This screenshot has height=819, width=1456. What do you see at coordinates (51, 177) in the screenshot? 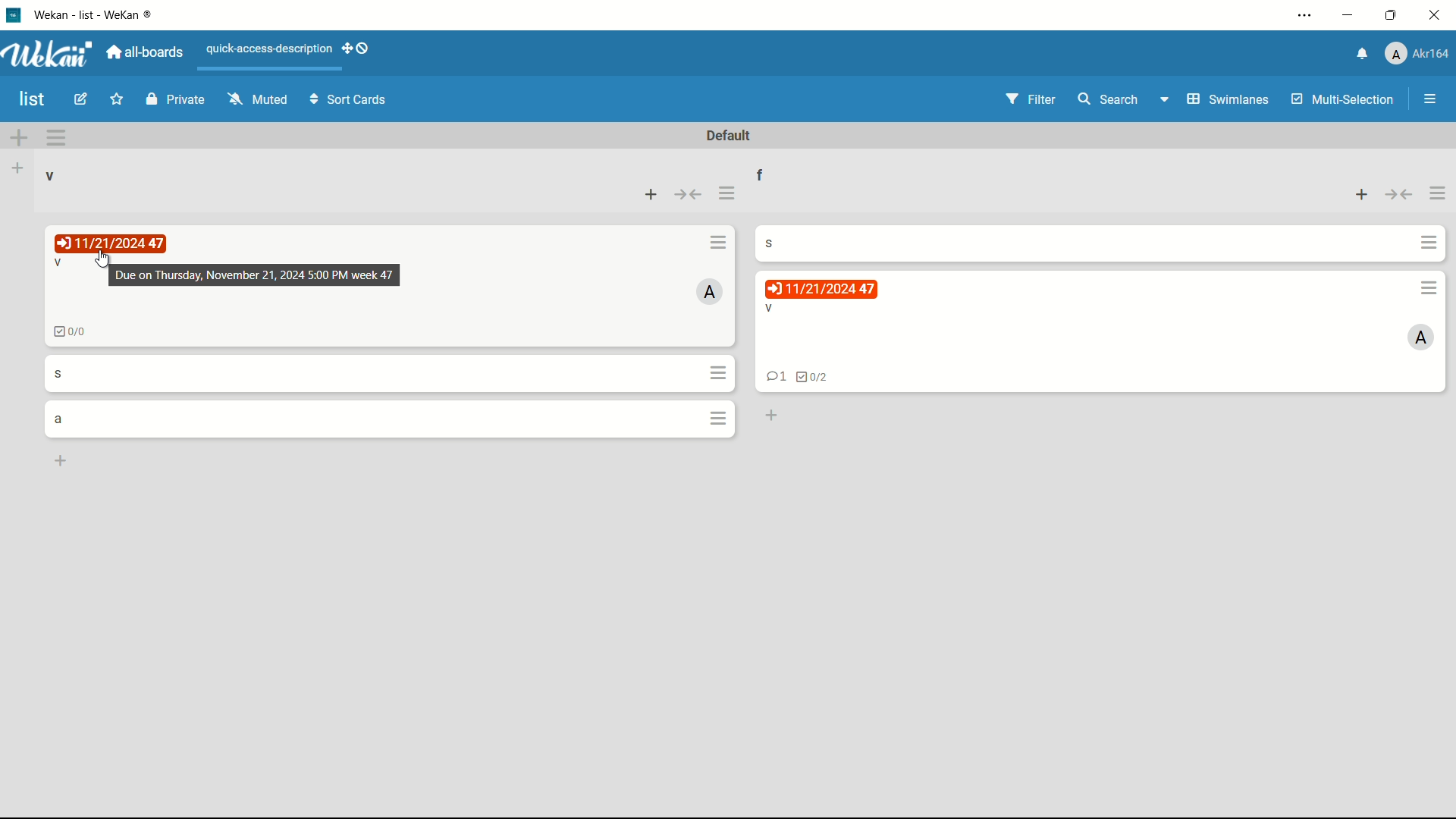
I see `list name` at bounding box center [51, 177].